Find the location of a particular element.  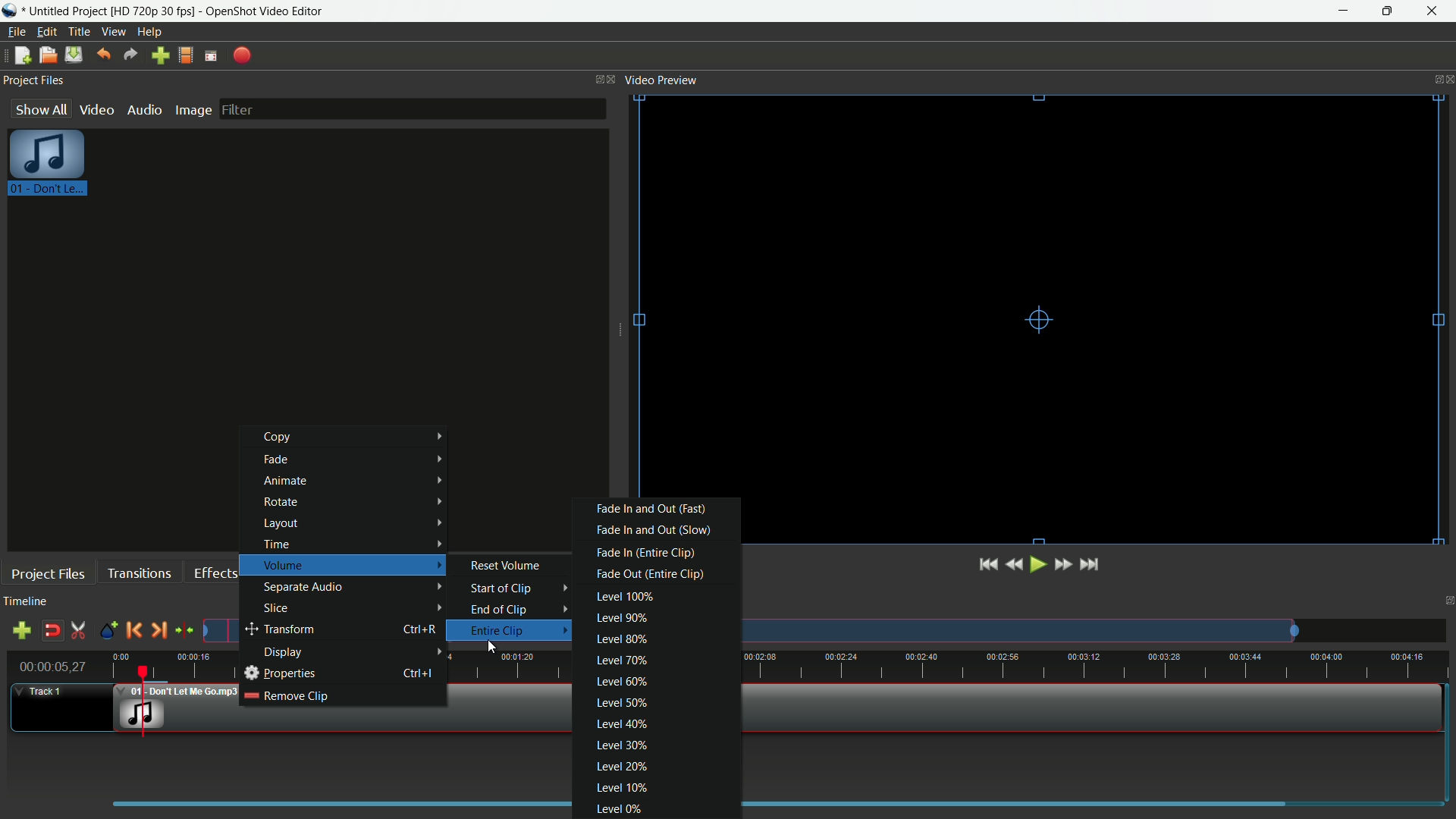

volume is located at coordinates (352, 565).